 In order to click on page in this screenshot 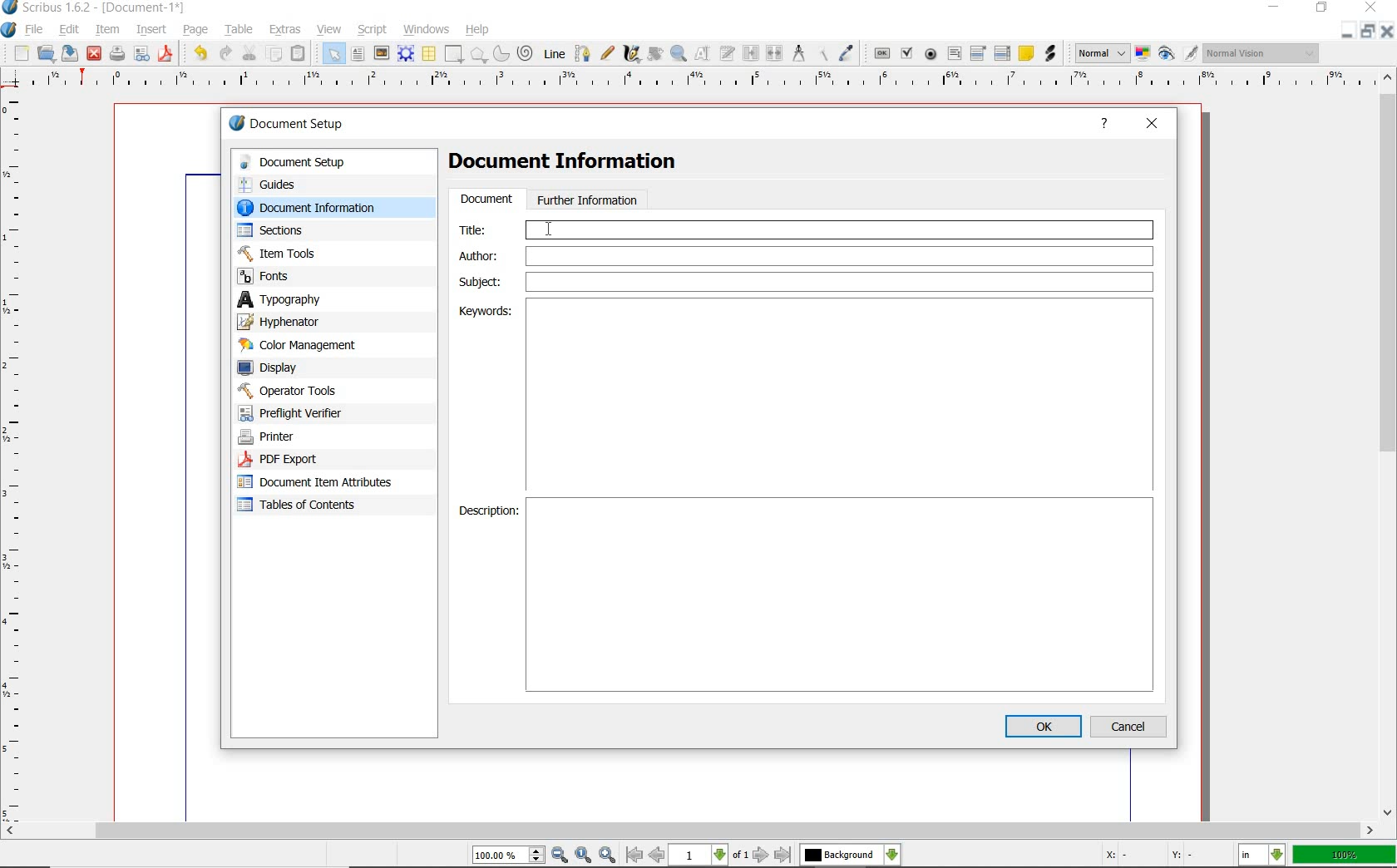, I will do `click(199, 30)`.